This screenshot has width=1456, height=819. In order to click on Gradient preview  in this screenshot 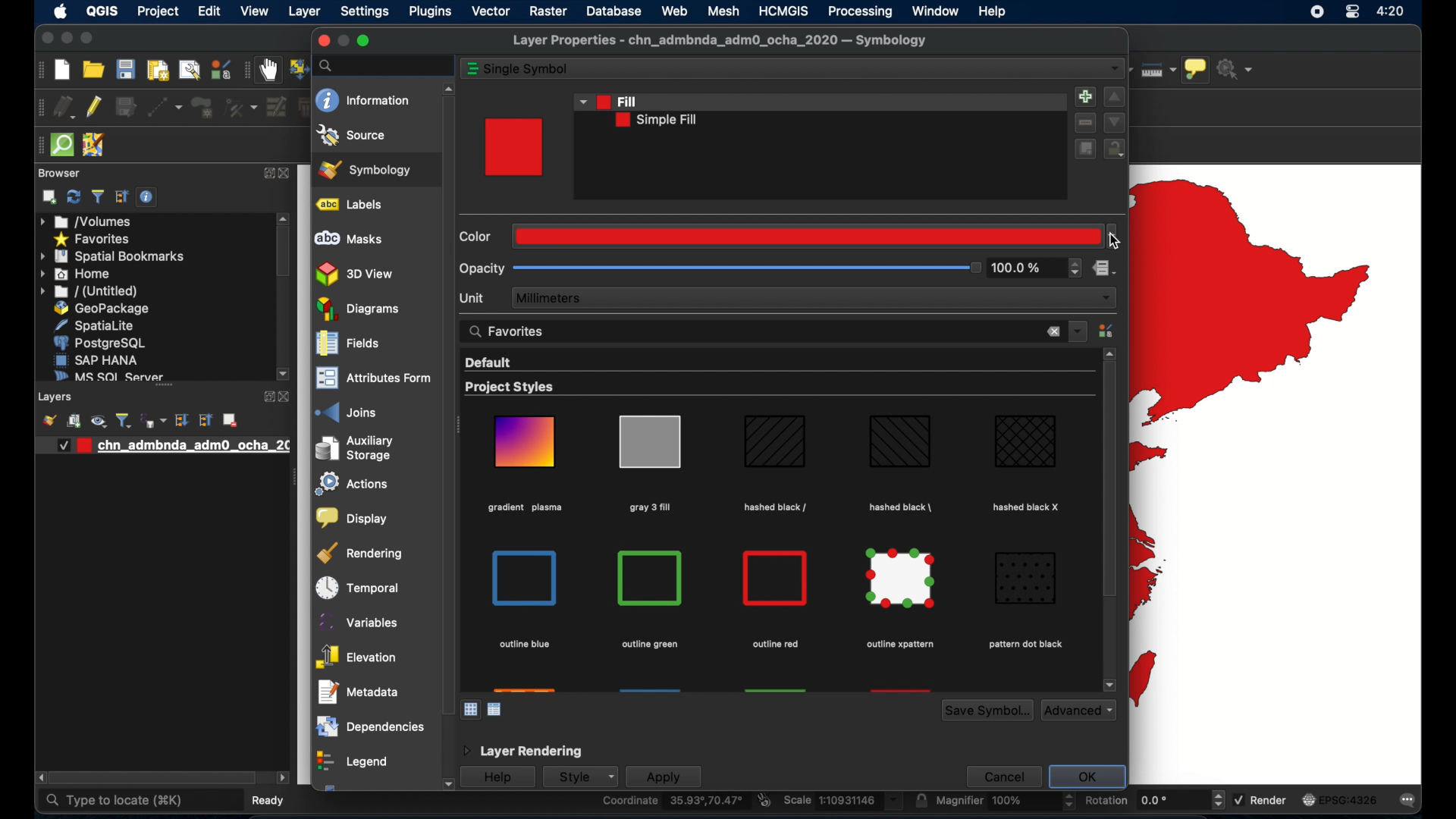, I will do `click(1027, 578)`.